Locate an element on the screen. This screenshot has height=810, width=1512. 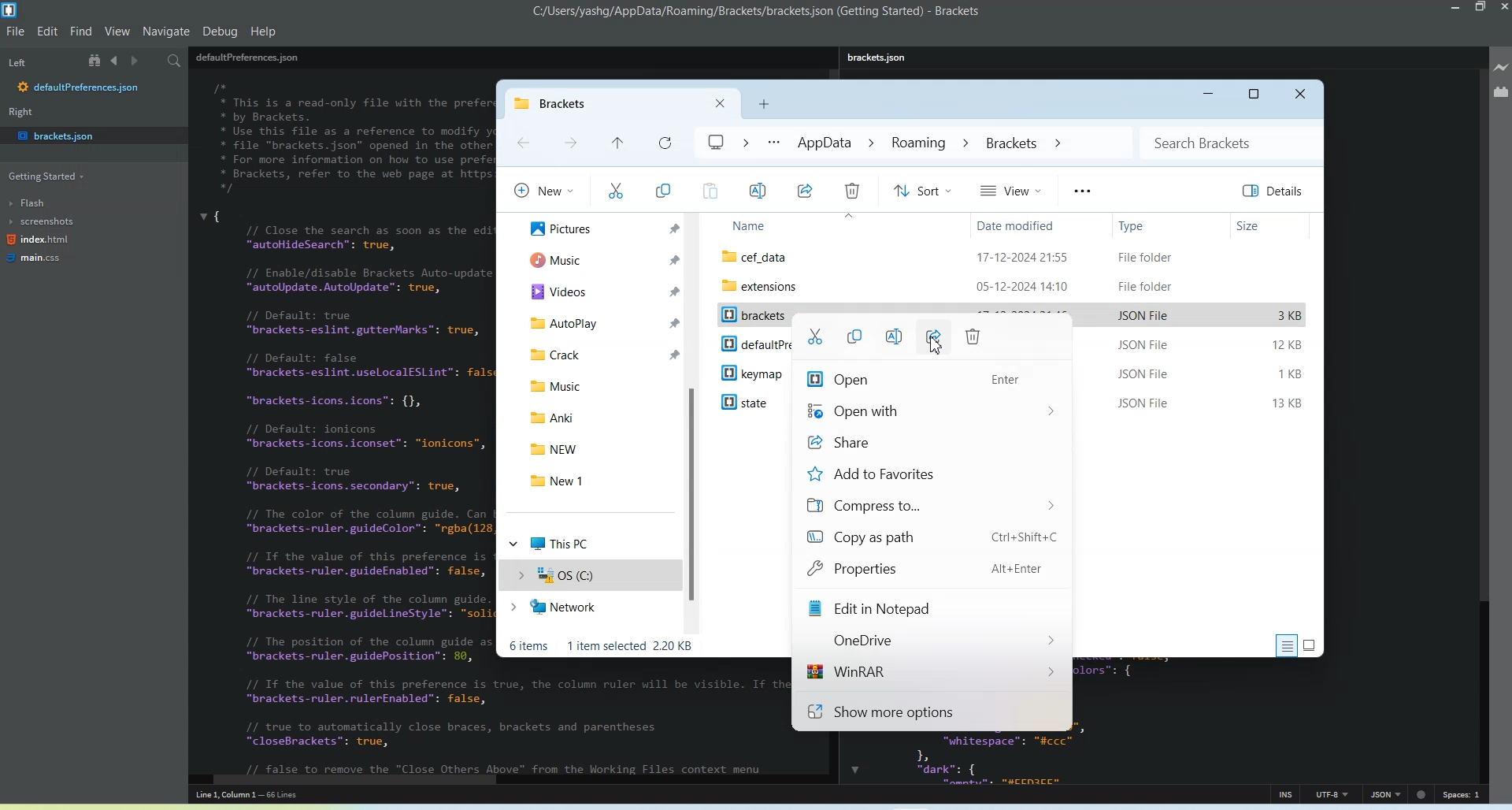
index.html is located at coordinates (38, 242).